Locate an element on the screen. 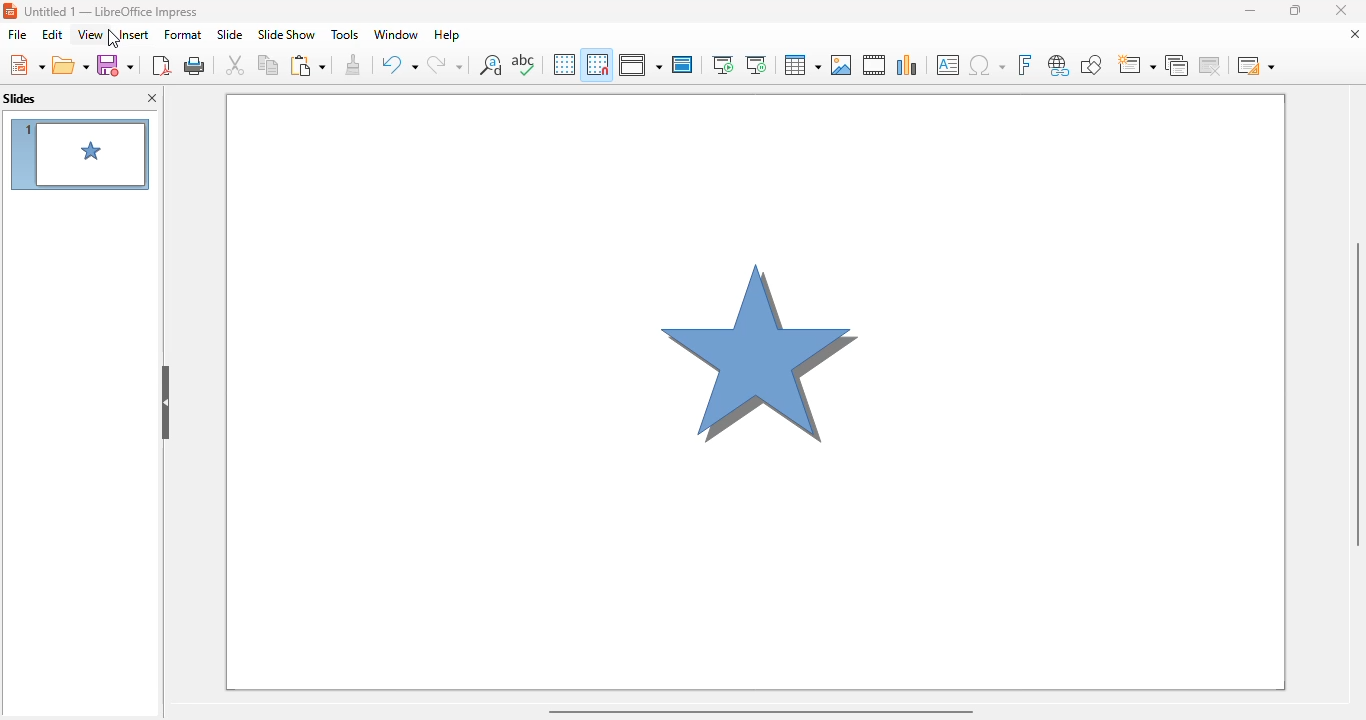 This screenshot has width=1366, height=720. maximize is located at coordinates (1294, 10).